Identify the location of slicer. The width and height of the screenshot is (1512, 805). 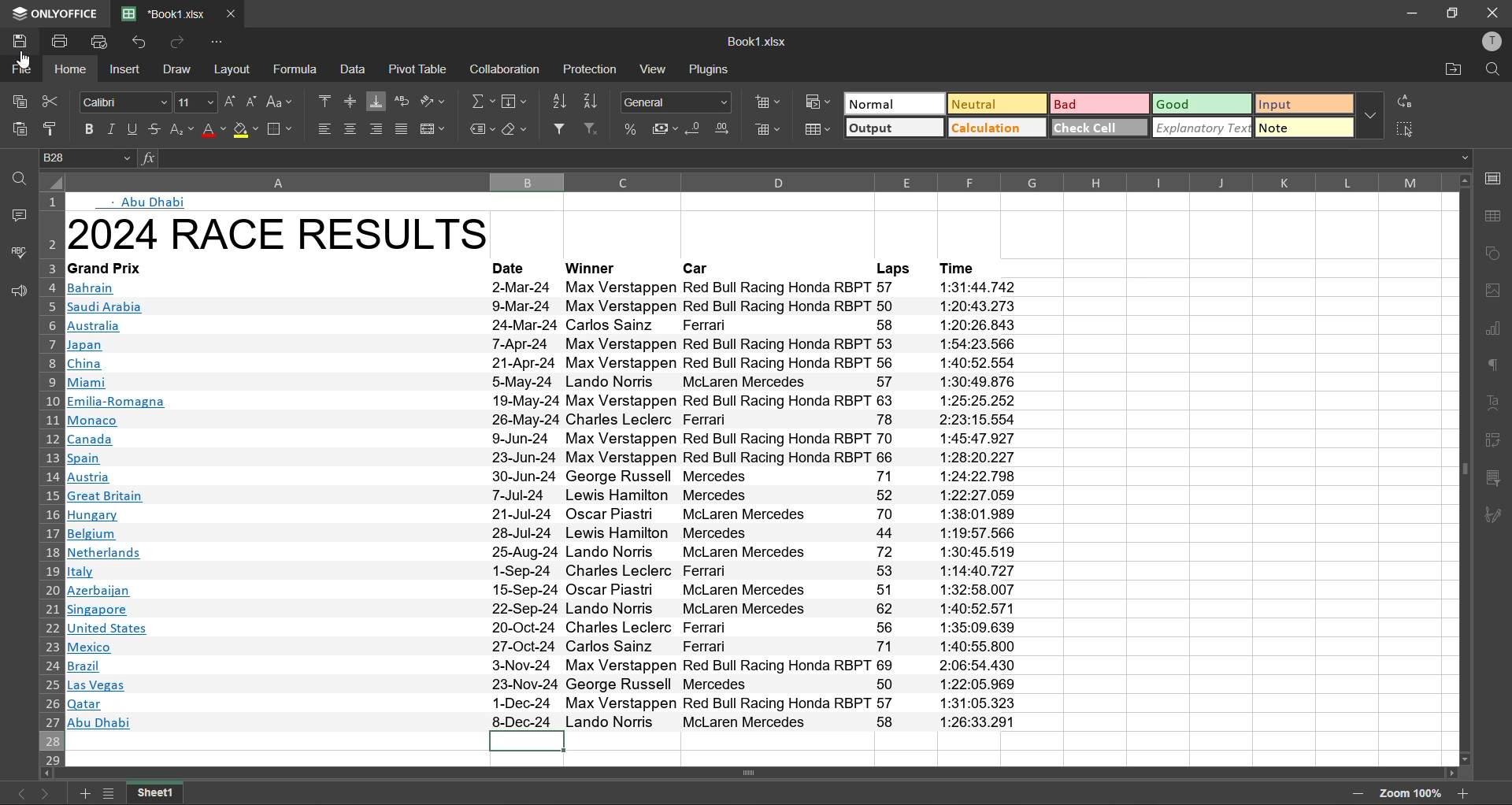
(1498, 480).